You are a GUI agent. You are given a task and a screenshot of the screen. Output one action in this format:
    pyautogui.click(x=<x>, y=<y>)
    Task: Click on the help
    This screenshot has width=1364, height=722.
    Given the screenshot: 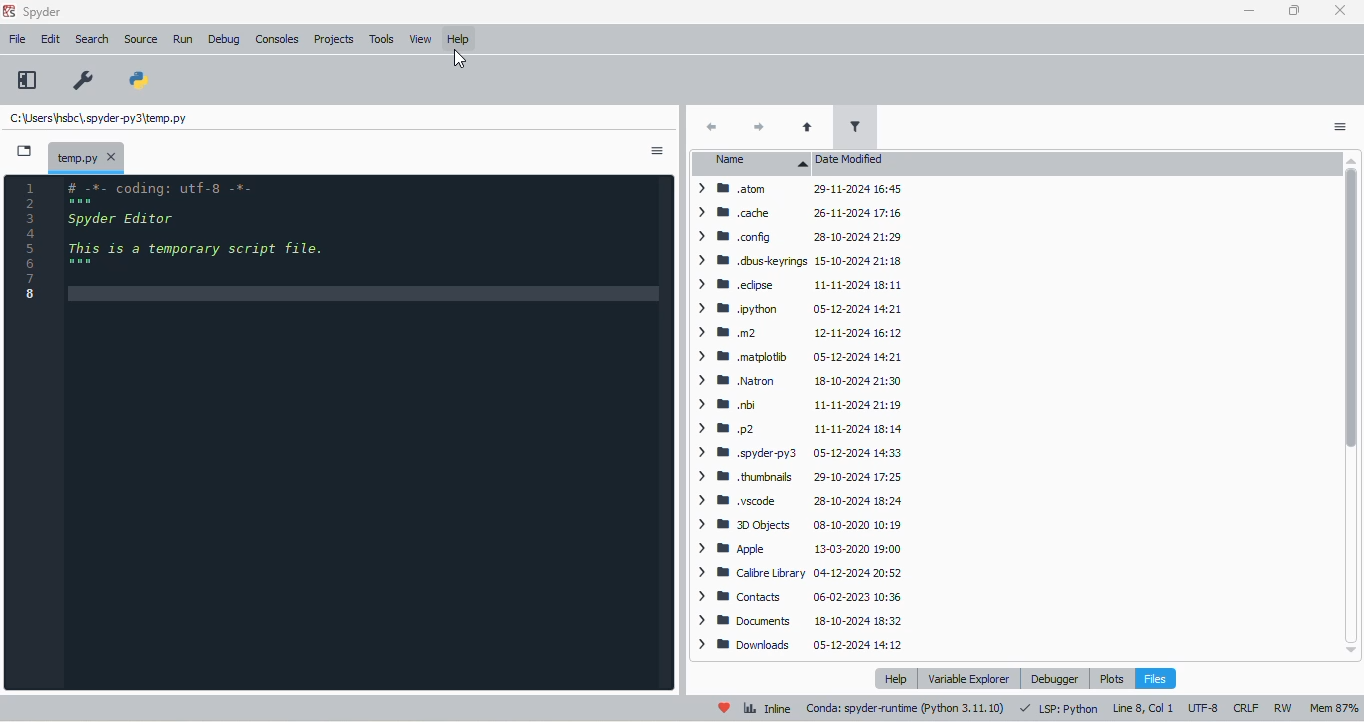 What is the action you would take?
    pyautogui.click(x=895, y=678)
    